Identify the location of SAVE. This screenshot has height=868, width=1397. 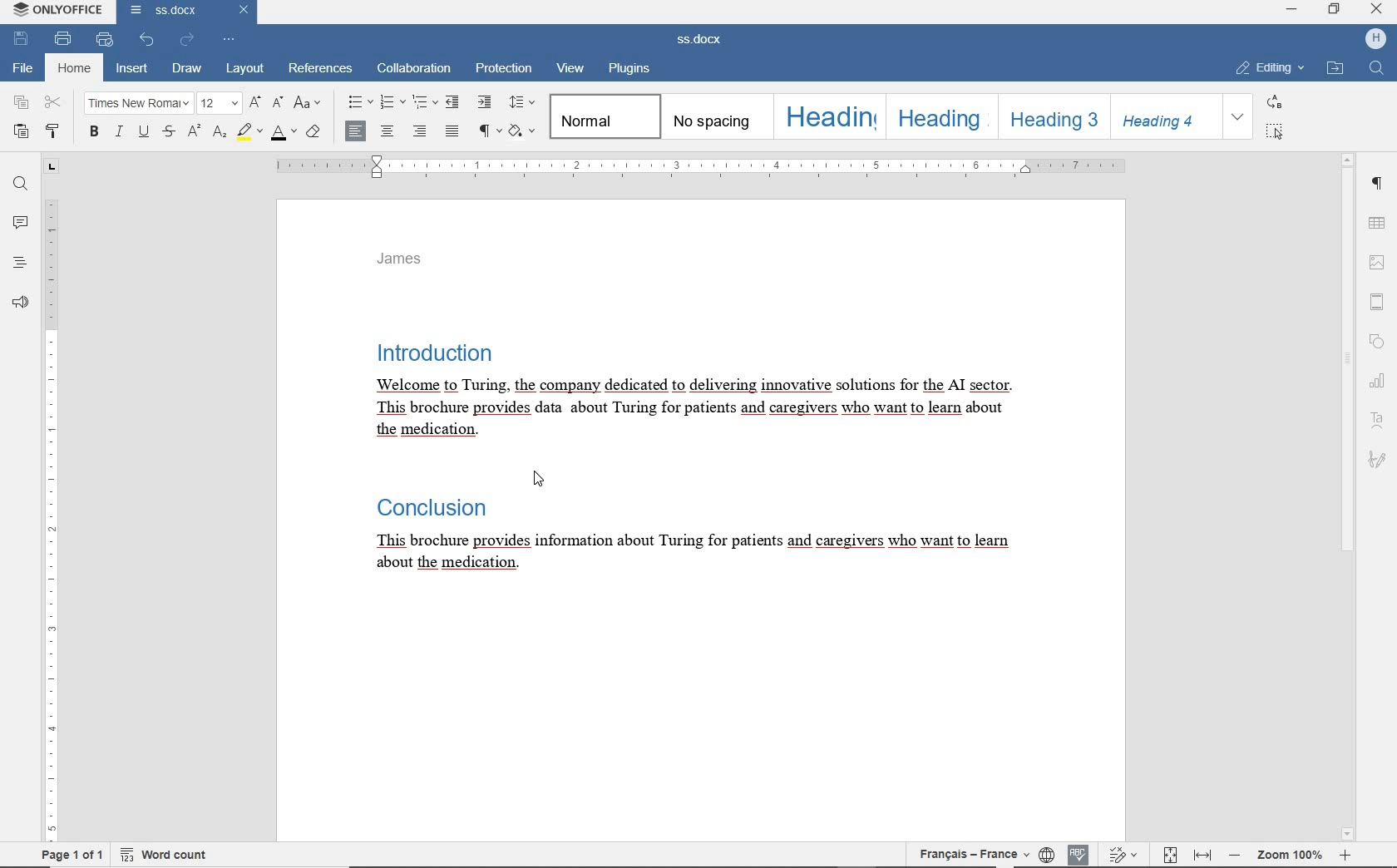
(23, 39).